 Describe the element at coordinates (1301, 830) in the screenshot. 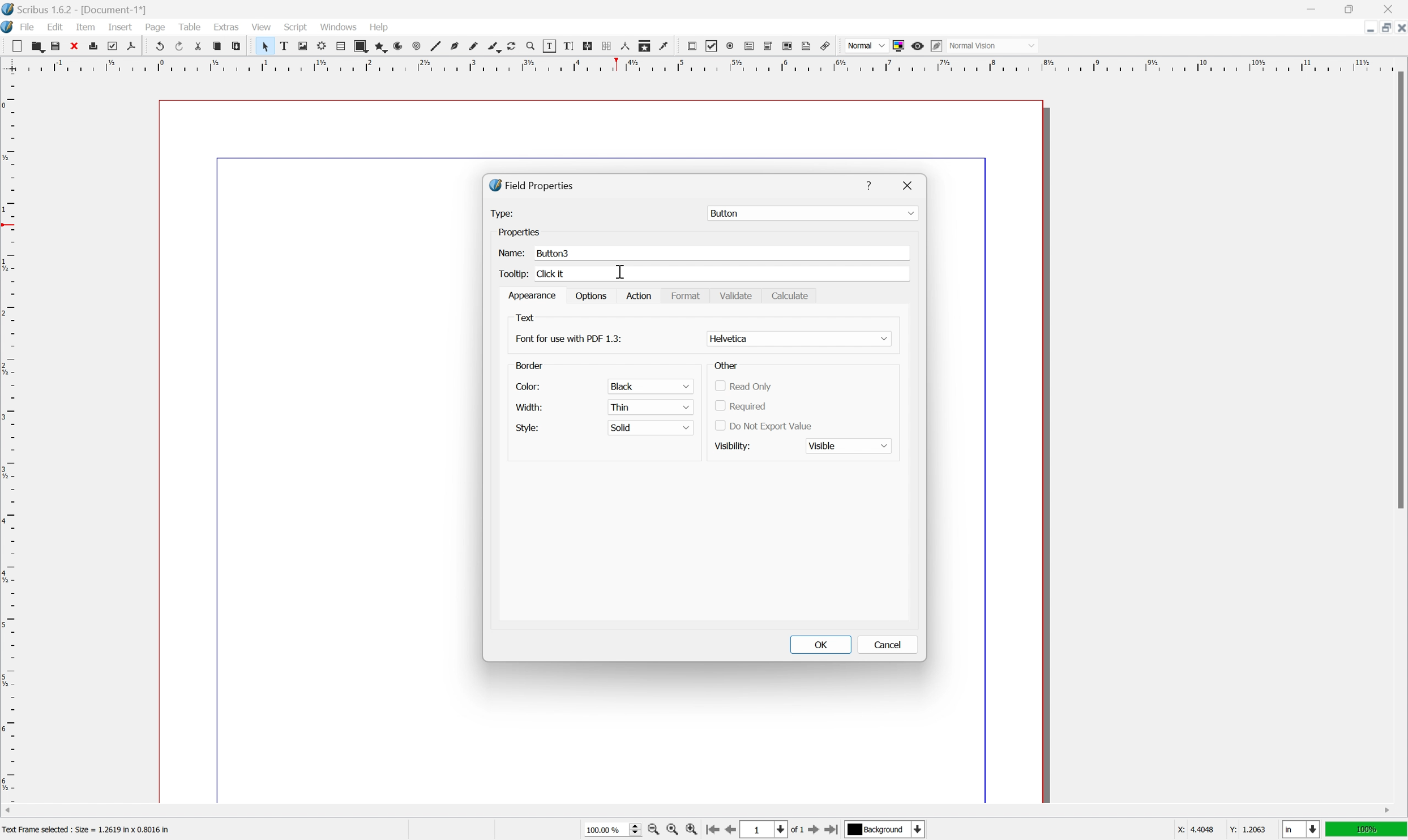

I see `select current unit` at that location.